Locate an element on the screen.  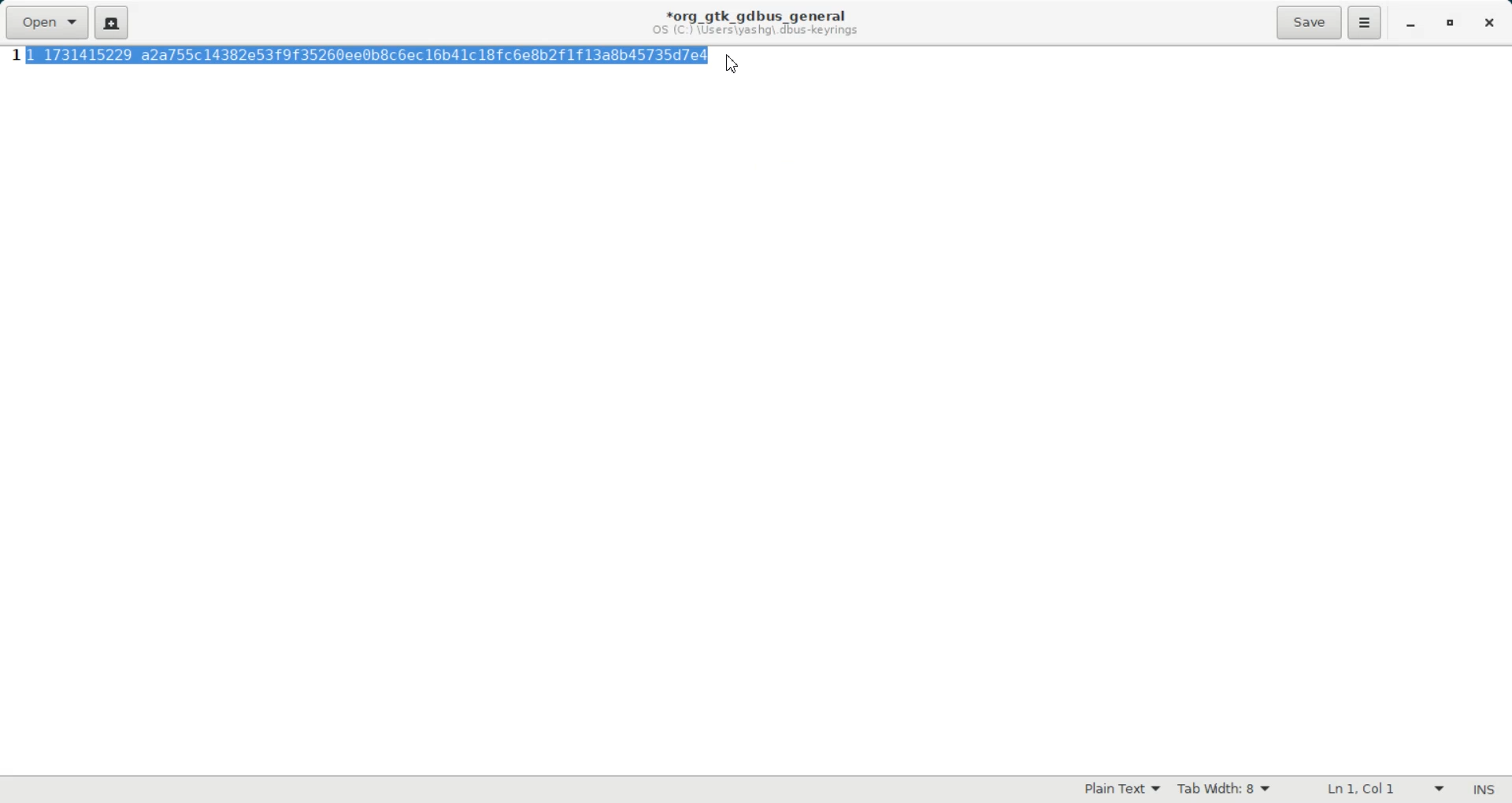
Maximize is located at coordinates (1452, 24).